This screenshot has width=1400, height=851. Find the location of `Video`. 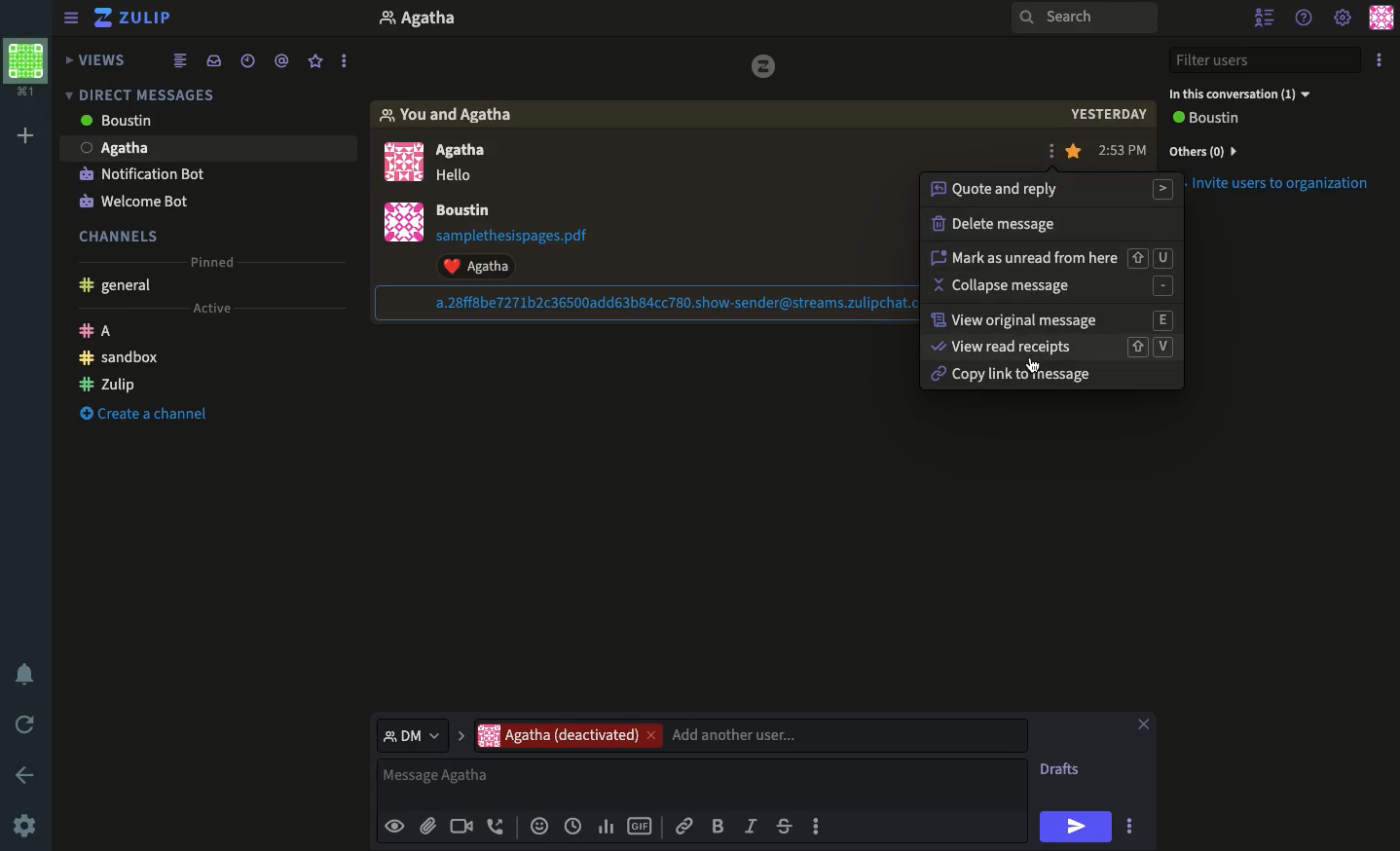

Video is located at coordinates (460, 828).